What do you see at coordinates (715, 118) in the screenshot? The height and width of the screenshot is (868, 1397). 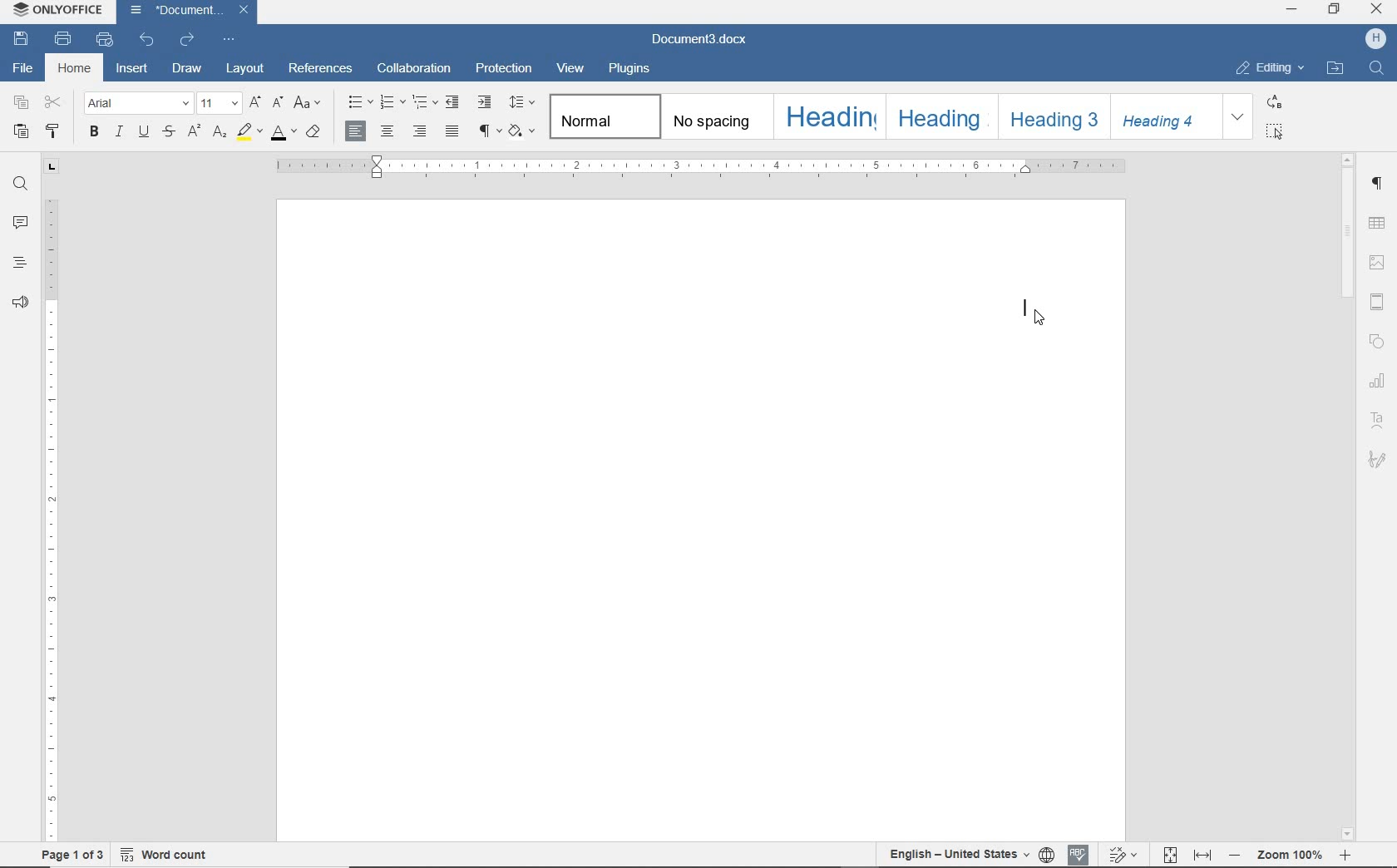 I see `NO SPACING` at bounding box center [715, 118].